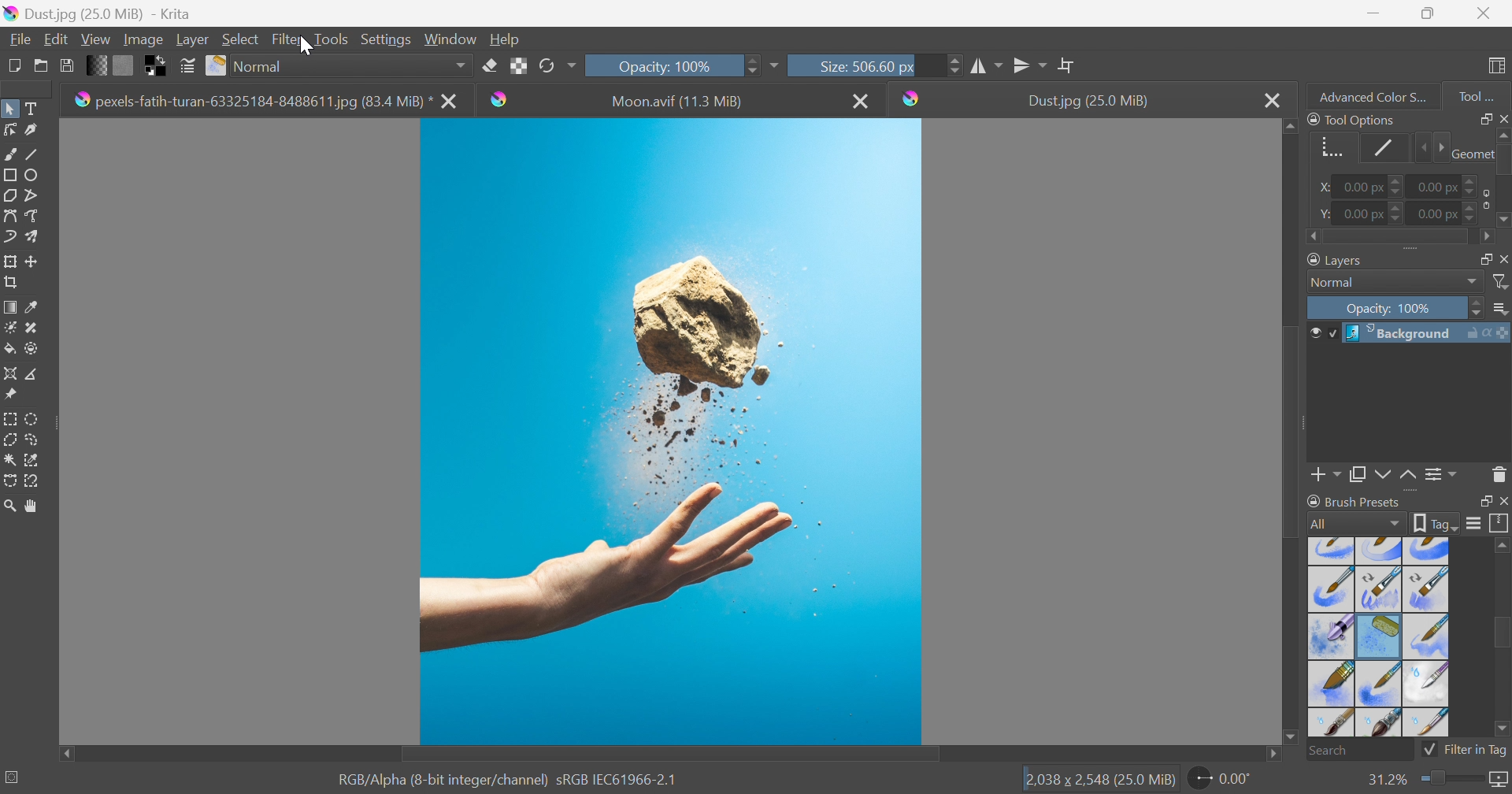 The height and width of the screenshot is (794, 1512). What do you see at coordinates (12, 416) in the screenshot?
I see `Rectangular selection tool` at bounding box center [12, 416].